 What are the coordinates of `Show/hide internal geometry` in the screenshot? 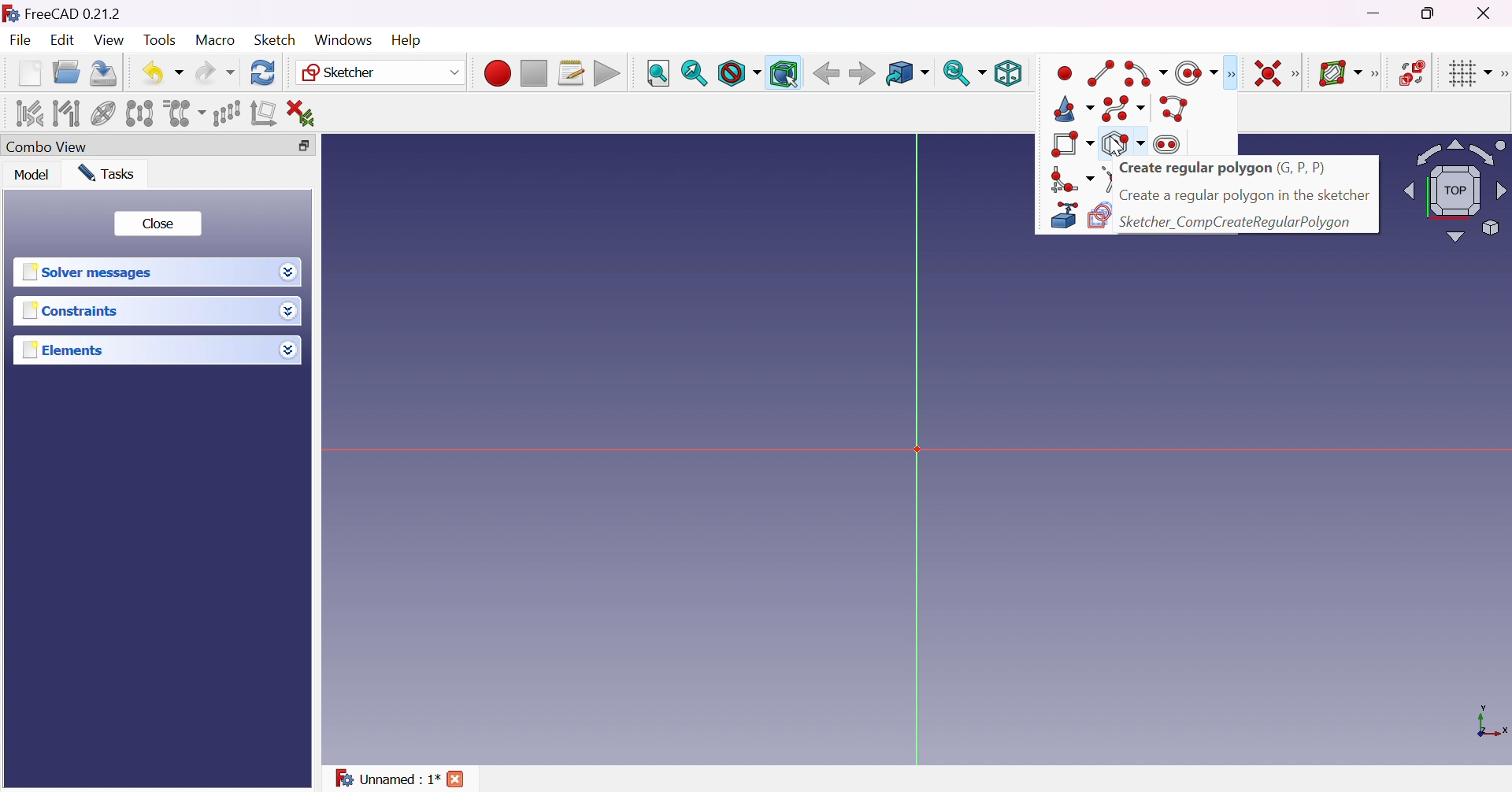 It's located at (104, 116).